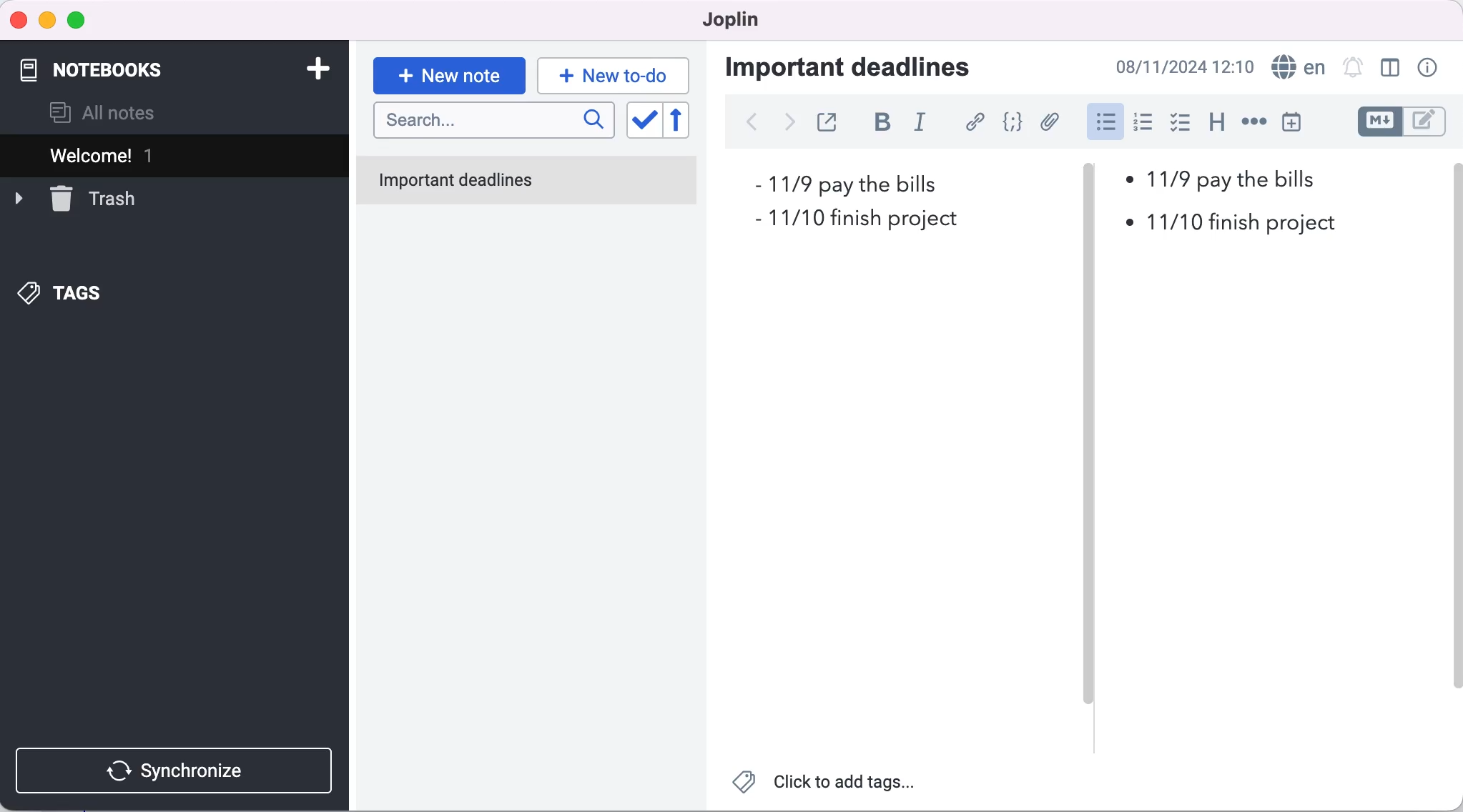 This screenshot has width=1463, height=812. Describe the element at coordinates (757, 220) in the screenshot. I see `bullet 2` at that location.